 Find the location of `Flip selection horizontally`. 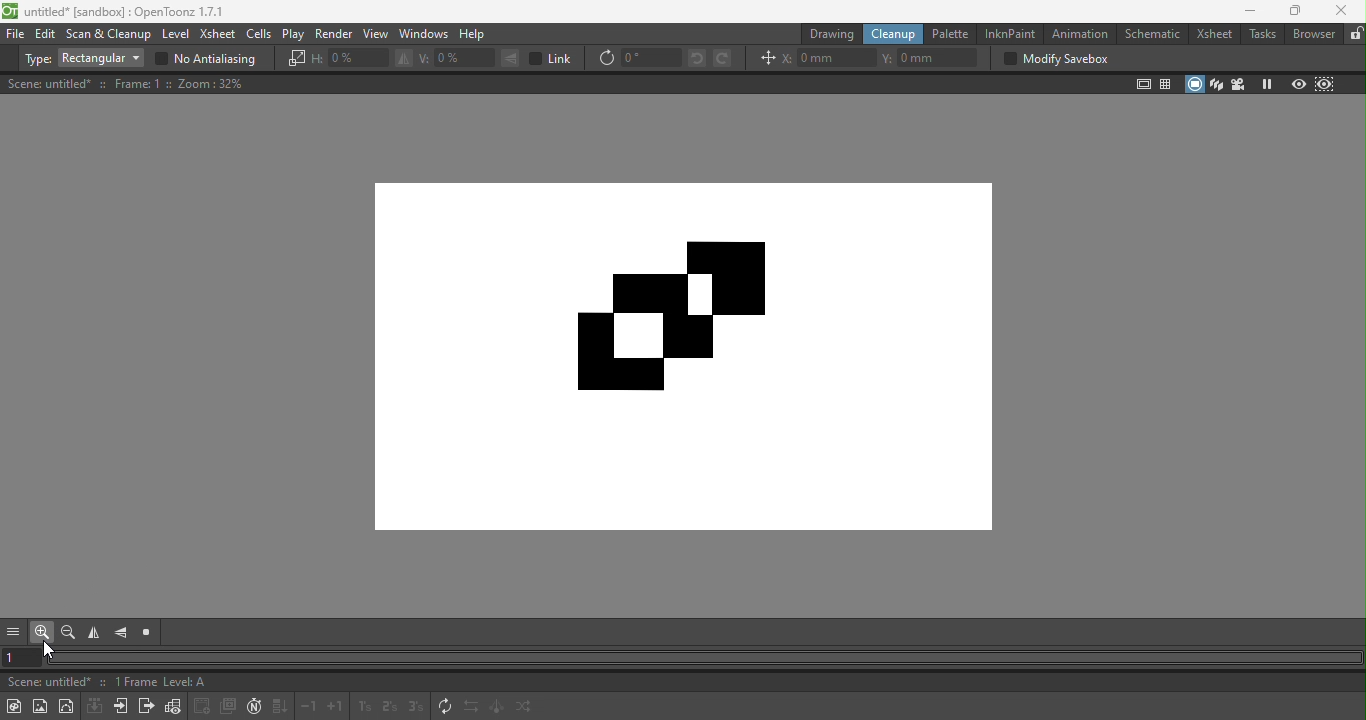

Flip selection horizontally is located at coordinates (362, 59).